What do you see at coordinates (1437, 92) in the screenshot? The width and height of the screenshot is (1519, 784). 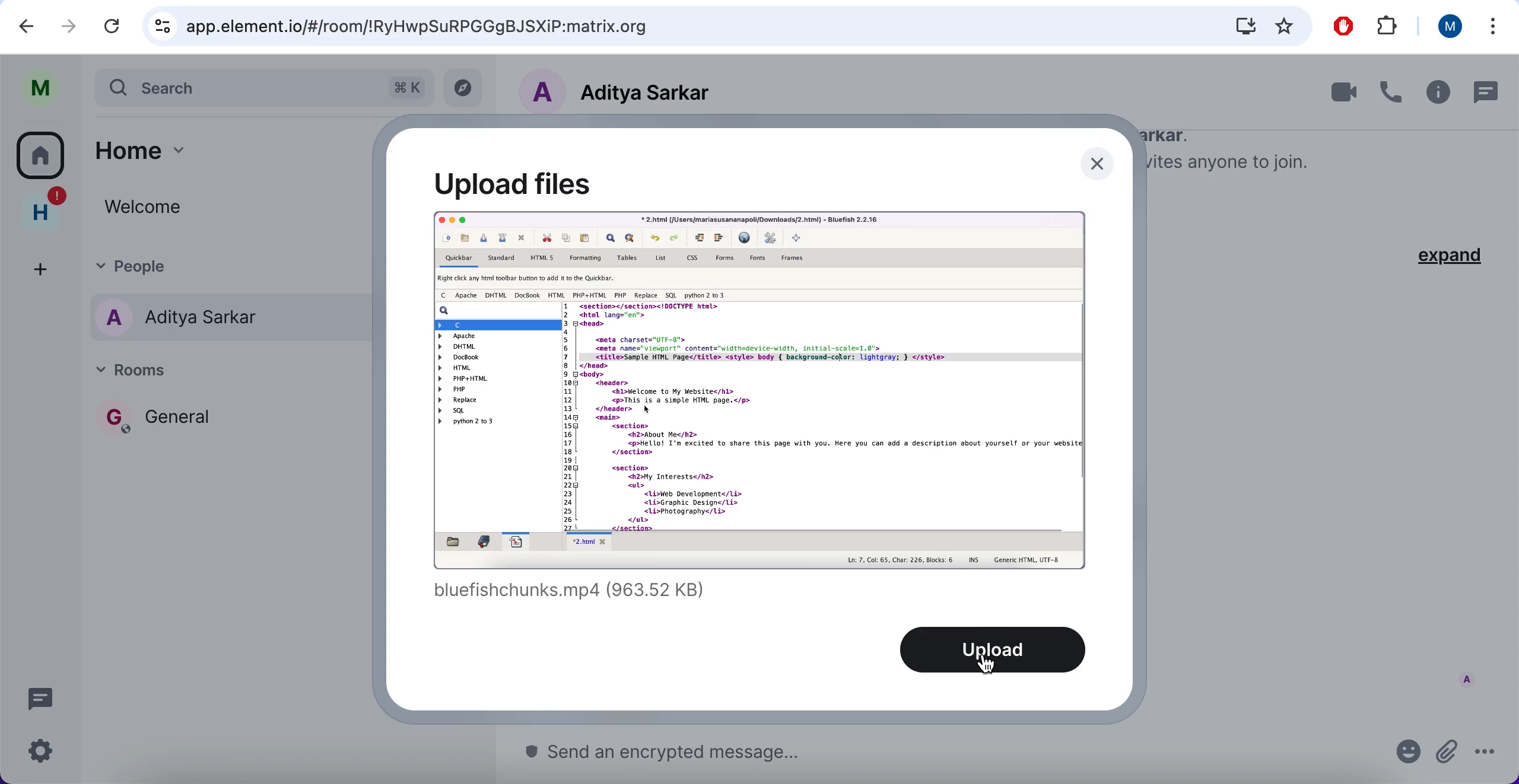 I see `information` at bounding box center [1437, 92].